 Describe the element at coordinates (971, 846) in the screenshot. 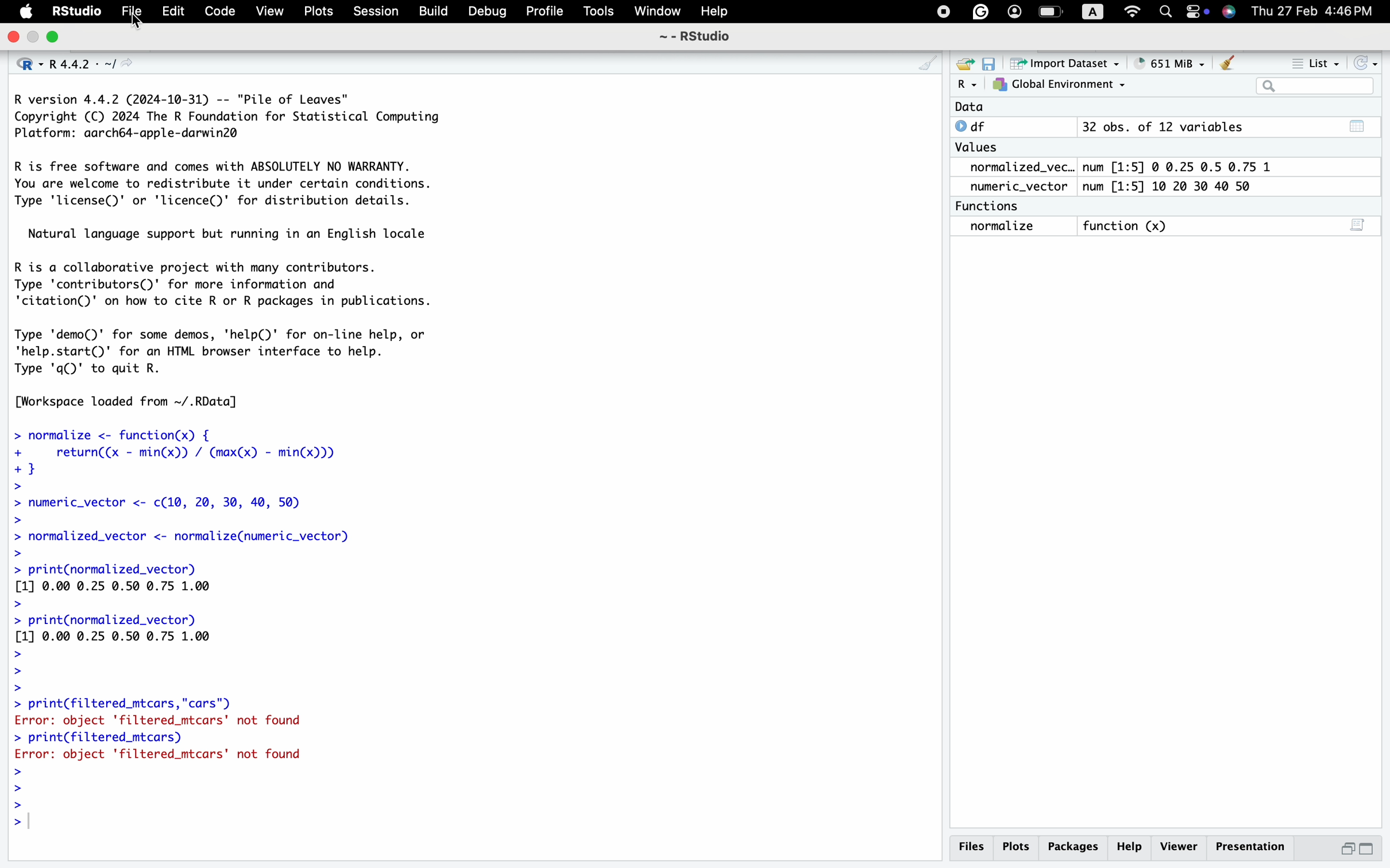

I see `Files` at that location.